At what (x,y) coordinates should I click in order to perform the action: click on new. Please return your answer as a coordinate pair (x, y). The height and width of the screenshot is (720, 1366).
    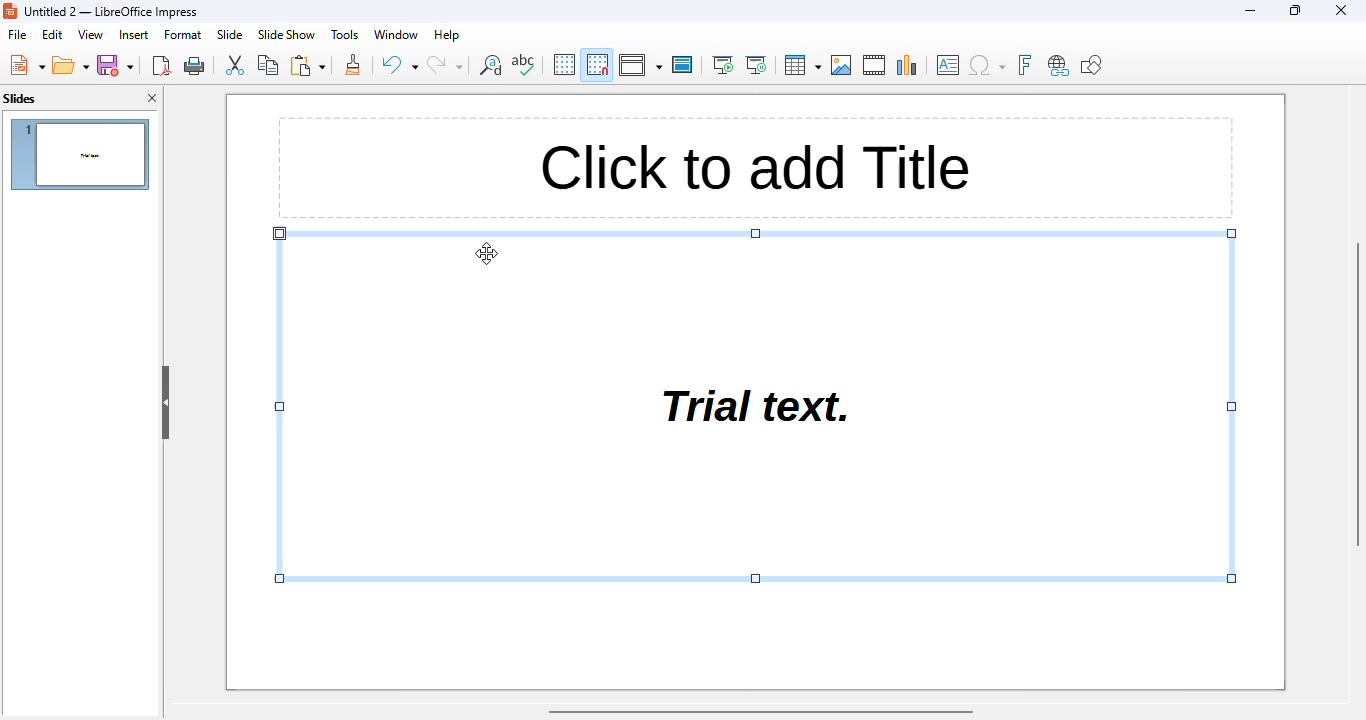
    Looking at the image, I should click on (26, 64).